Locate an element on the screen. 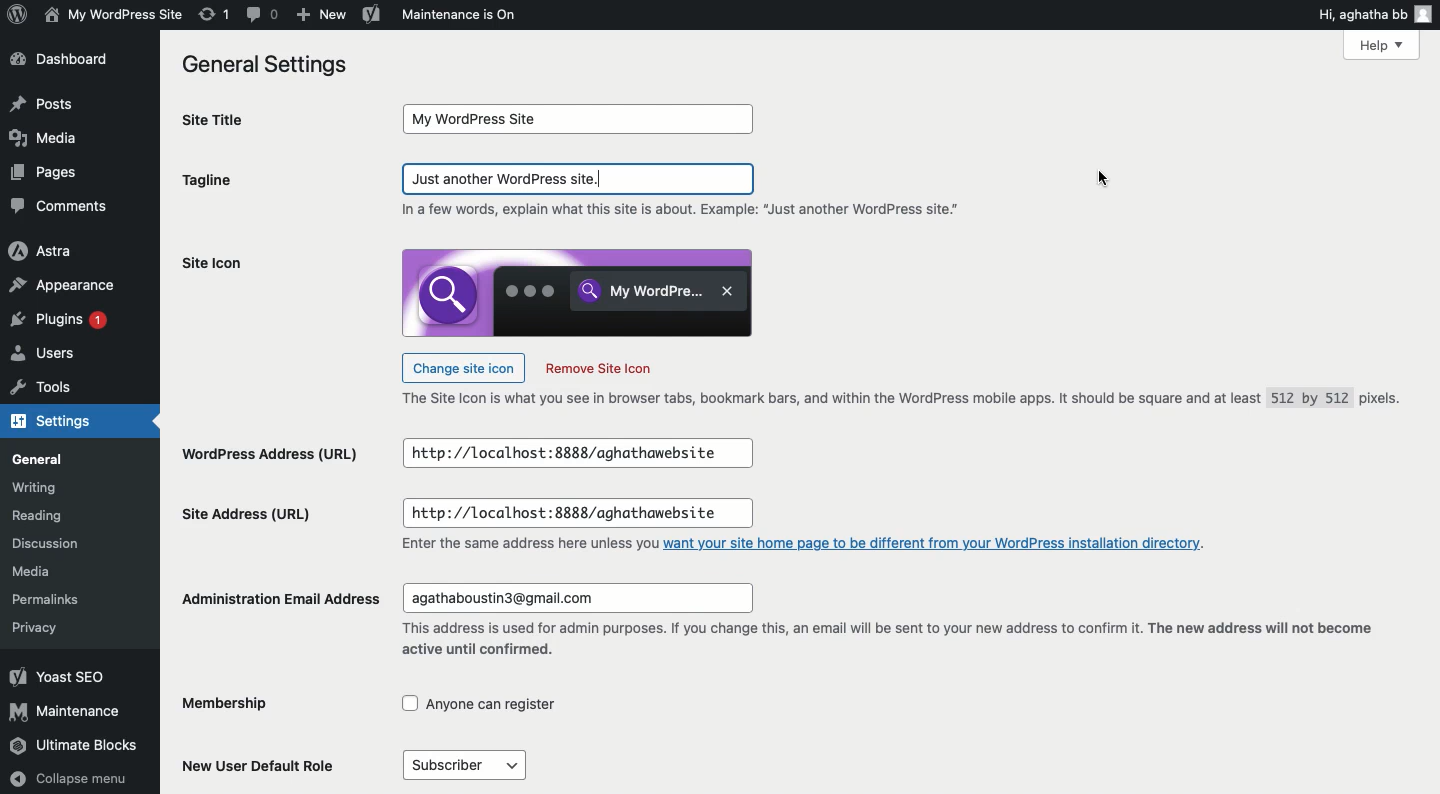 The width and height of the screenshot is (1440, 794). link is located at coordinates (936, 542).